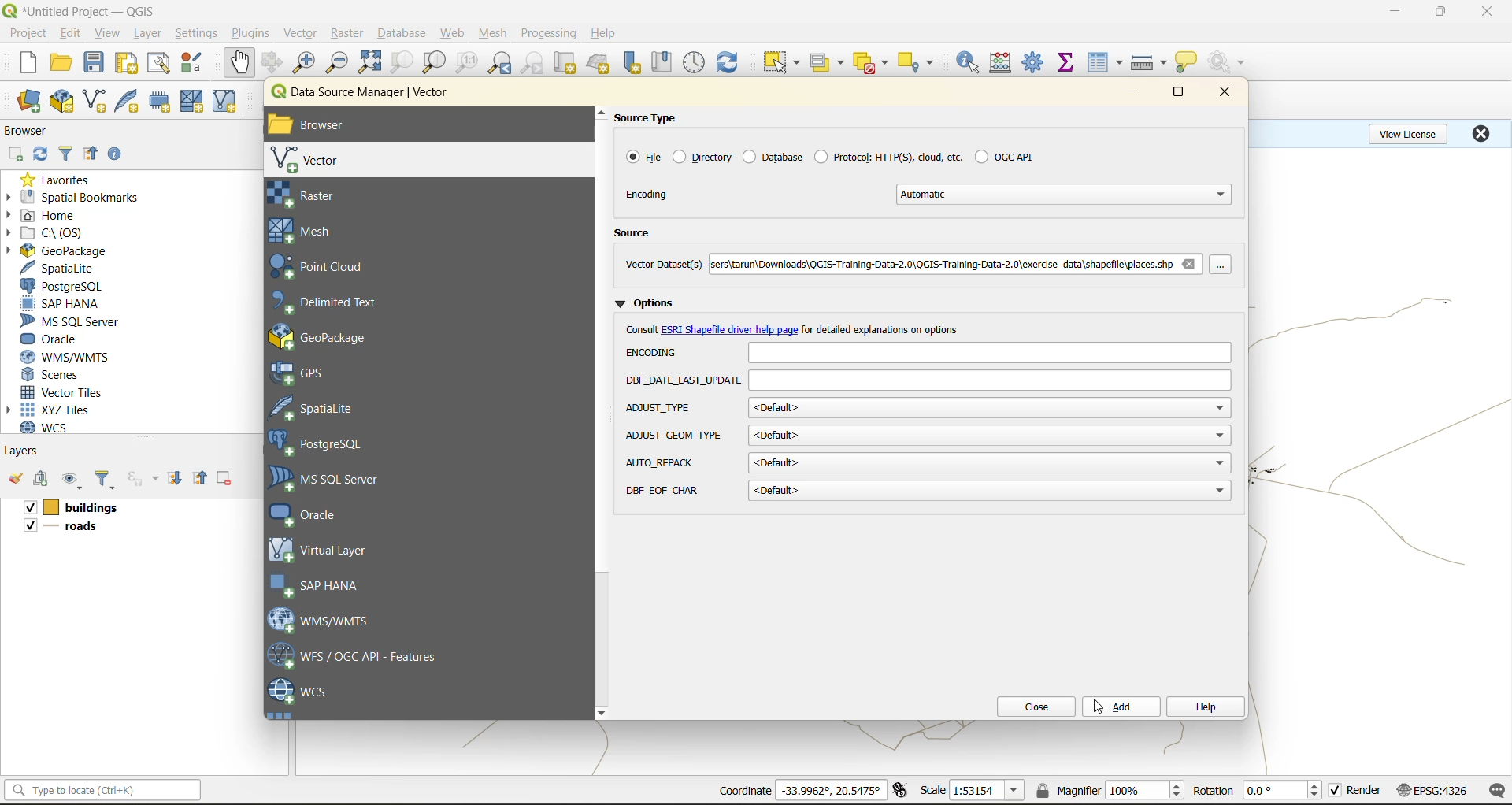 This screenshot has height=805, width=1512. I want to click on close, so click(1488, 12).